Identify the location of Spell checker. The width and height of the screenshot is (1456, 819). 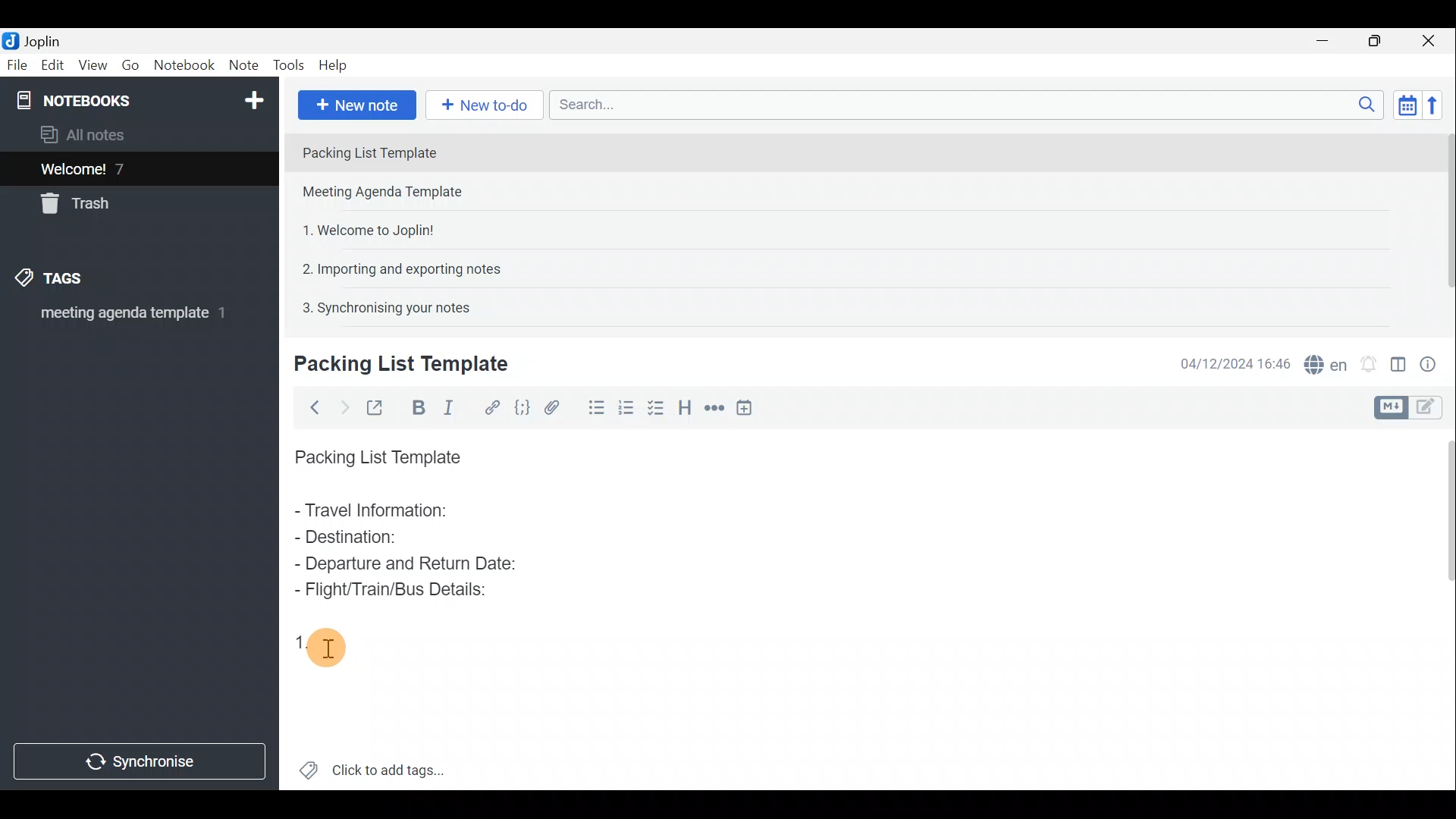
(1322, 362).